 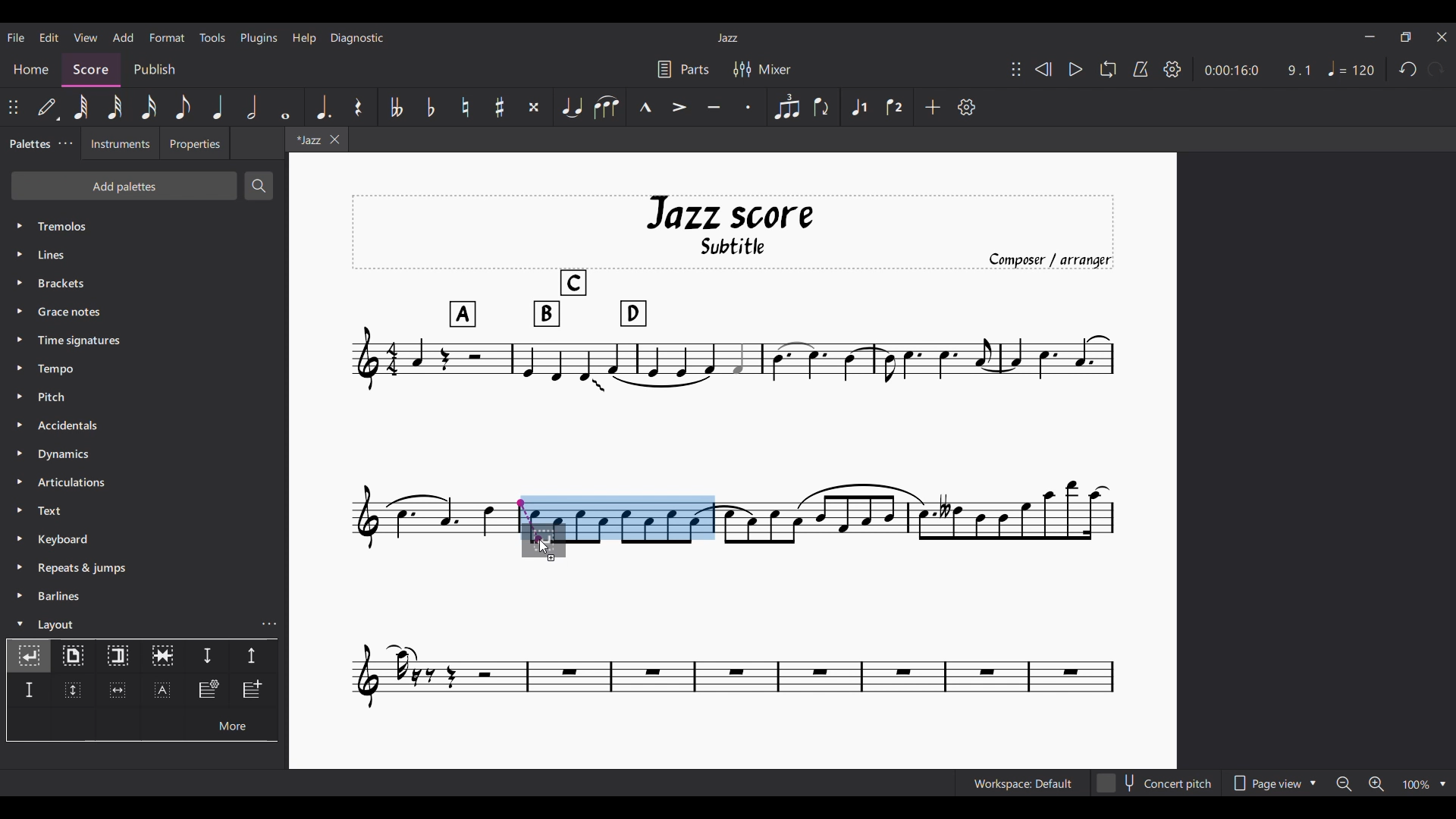 What do you see at coordinates (1370, 36) in the screenshot?
I see `Minimize` at bounding box center [1370, 36].